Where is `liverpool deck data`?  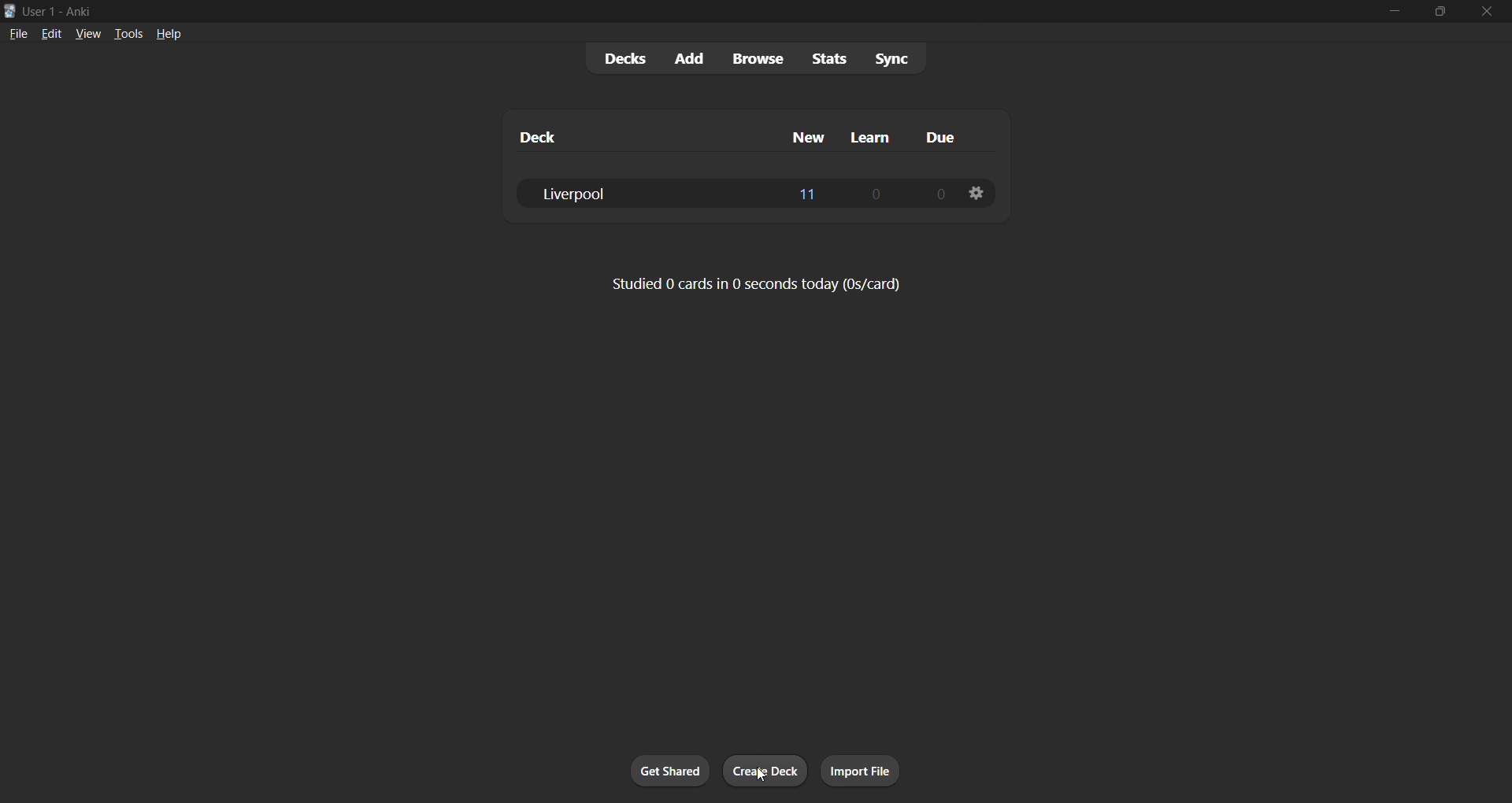 liverpool deck data is located at coordinates (738, 193).